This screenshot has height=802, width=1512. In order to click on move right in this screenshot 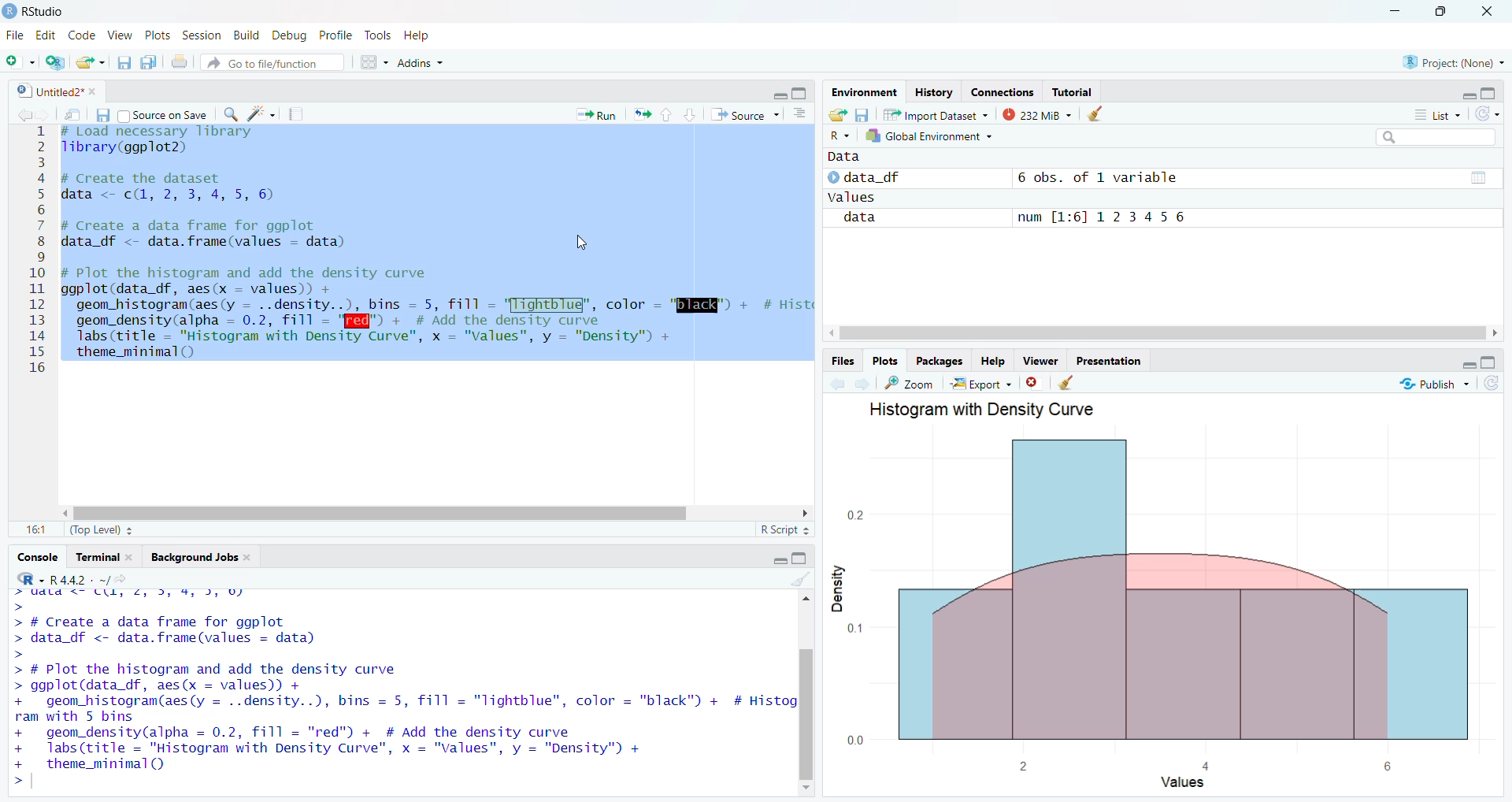, I will do `click(806, 512)`.